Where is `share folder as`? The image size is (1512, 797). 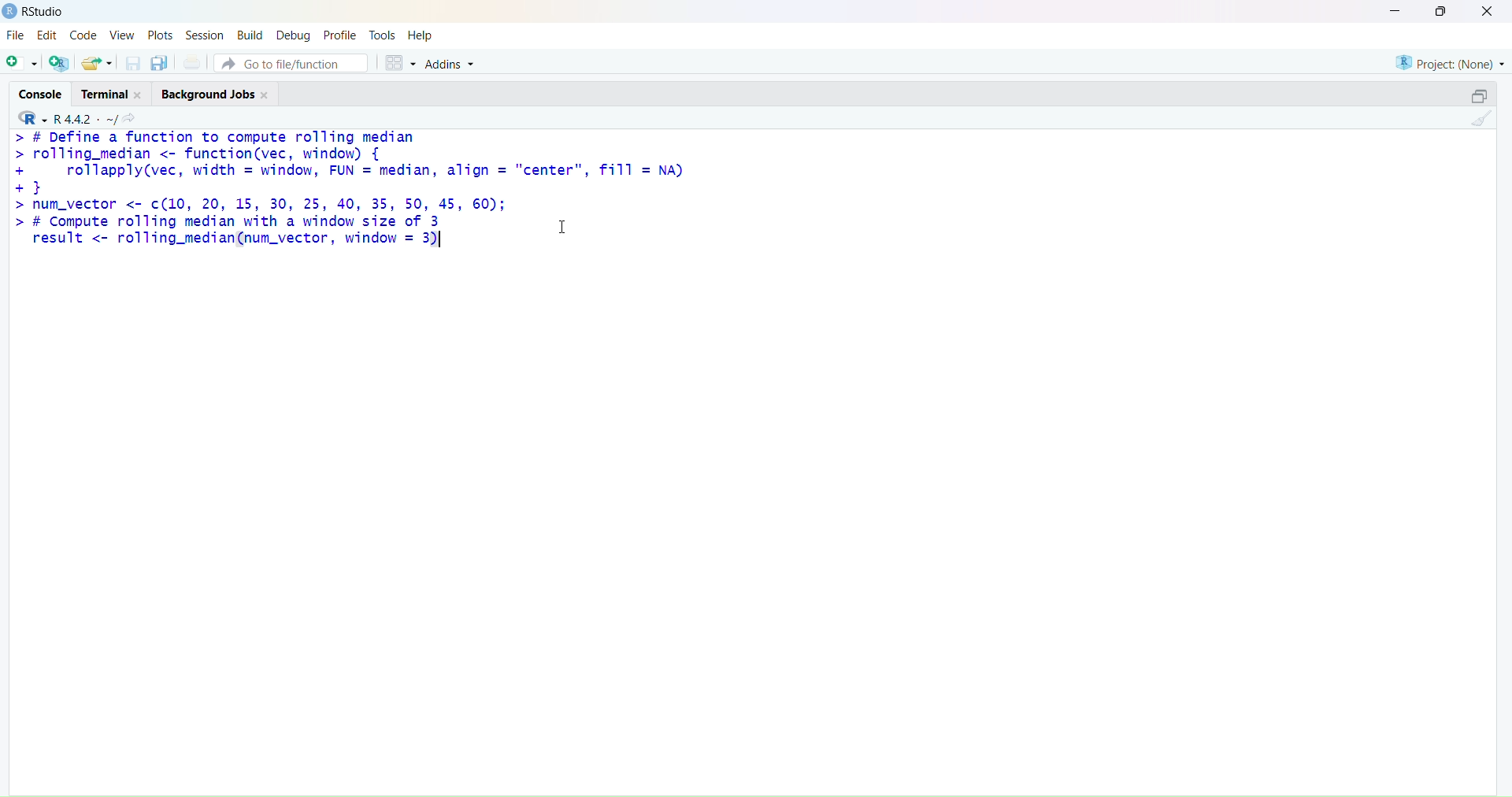 share folder as is located at coordinates (97, 63).